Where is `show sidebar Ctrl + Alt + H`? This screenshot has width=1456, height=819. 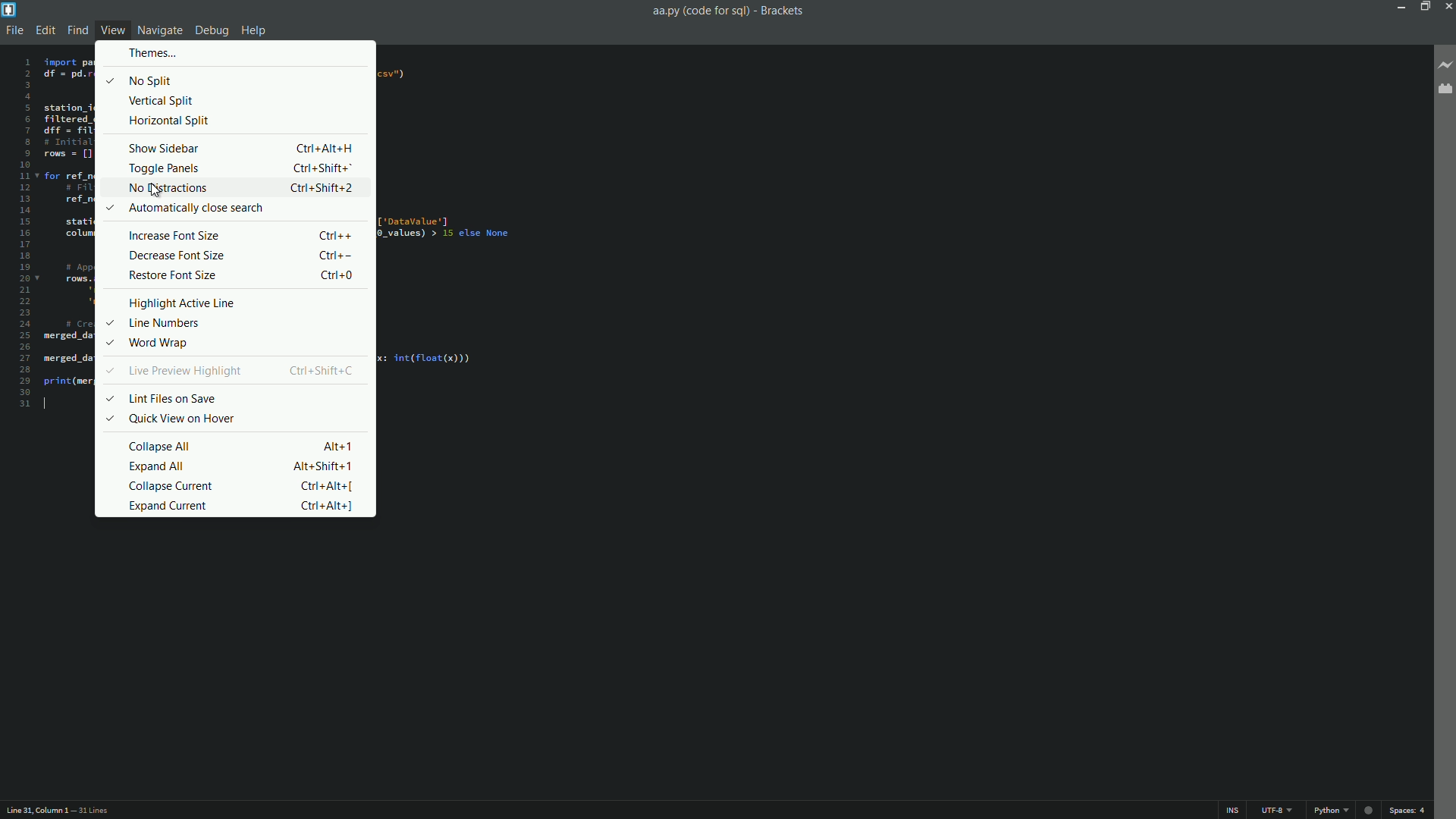
show sidebar Ctrl + Alt + H is located at coordinates (239, 148).